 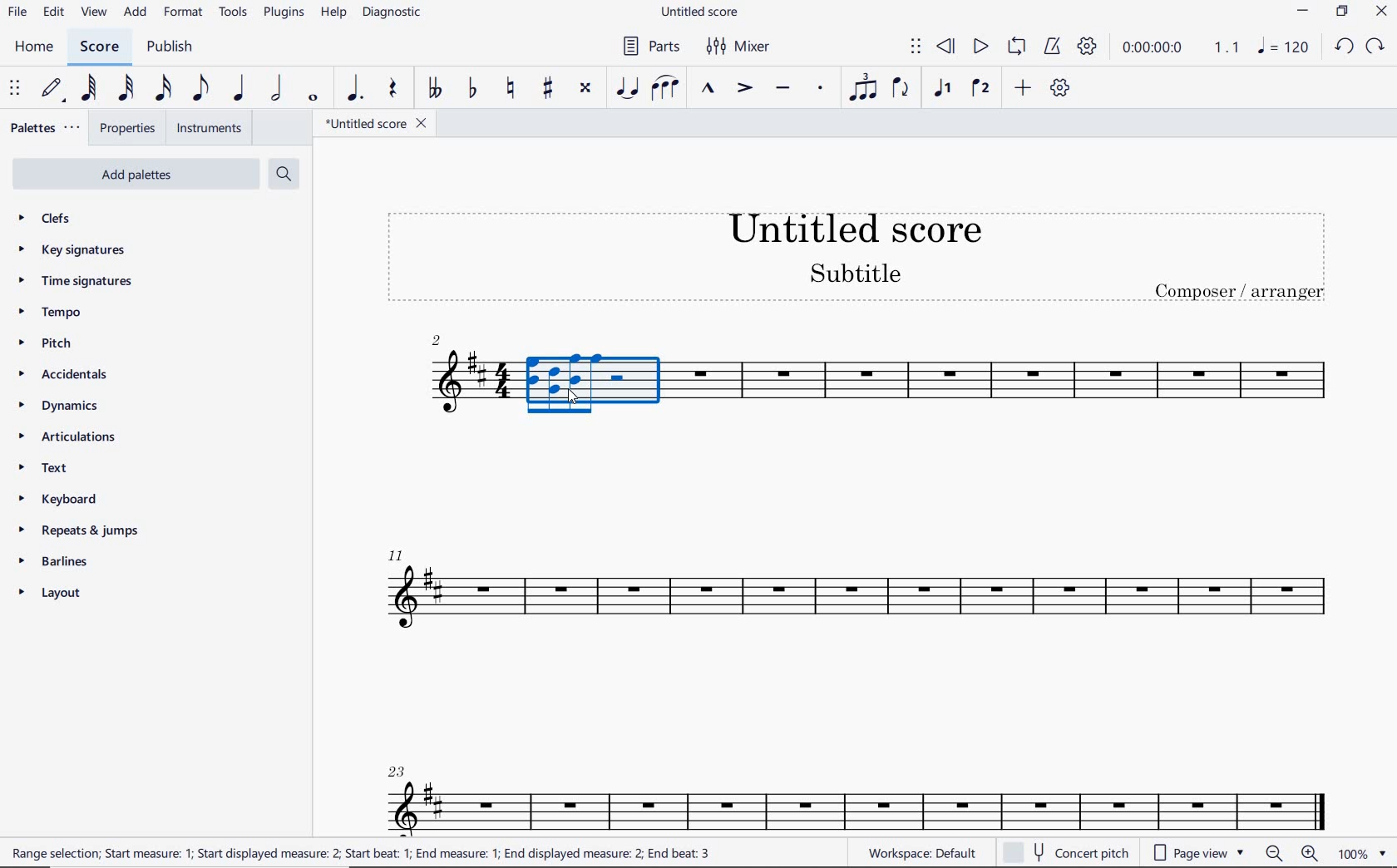 What do you see at coordinates (739, 47) in the screenshot?
I see `MIXER` at bounding box center [739, 47].